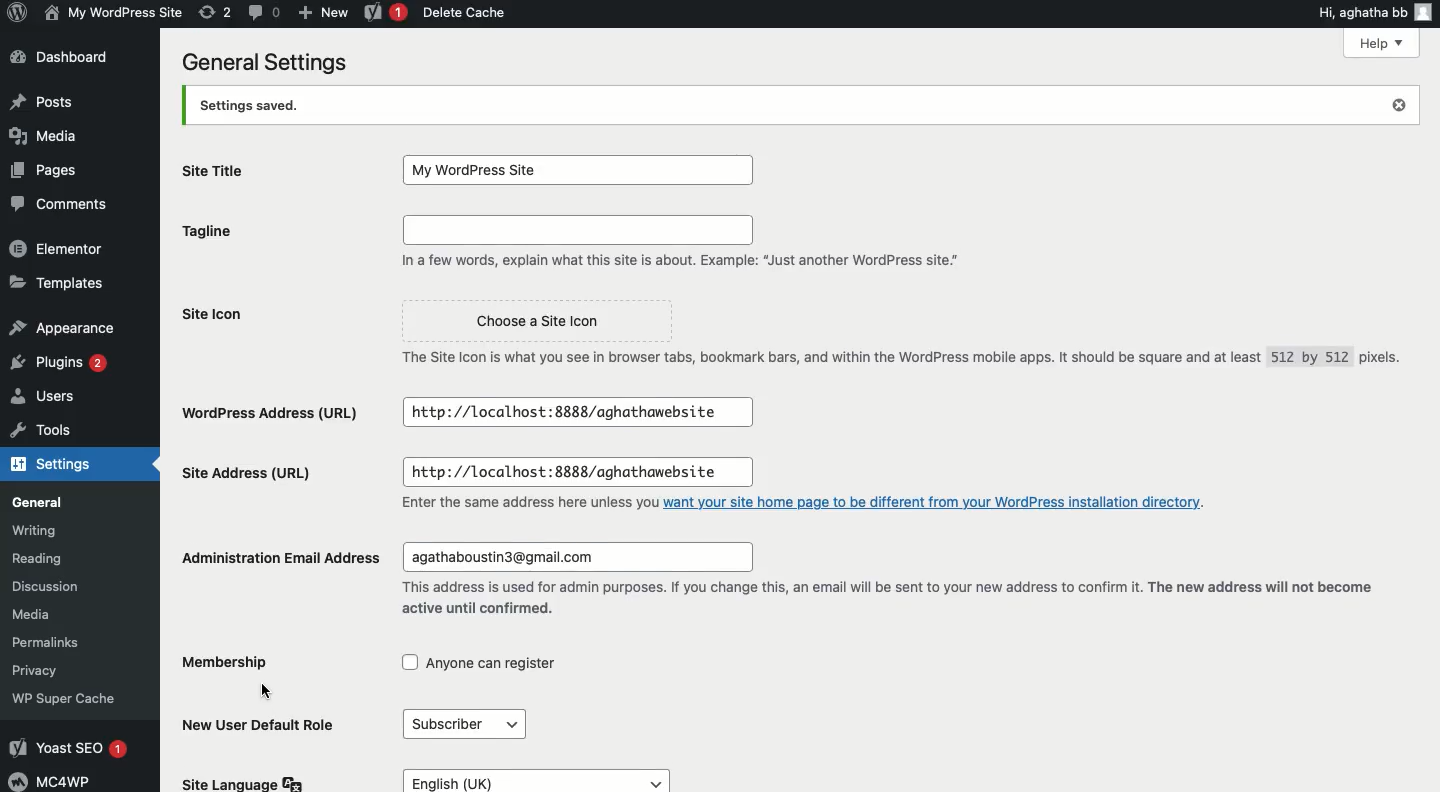 The width and height of the screenshot is (1440, 792). Describe the element at coordinates (36, 615) in the screenshot. I see `Media` at that location.